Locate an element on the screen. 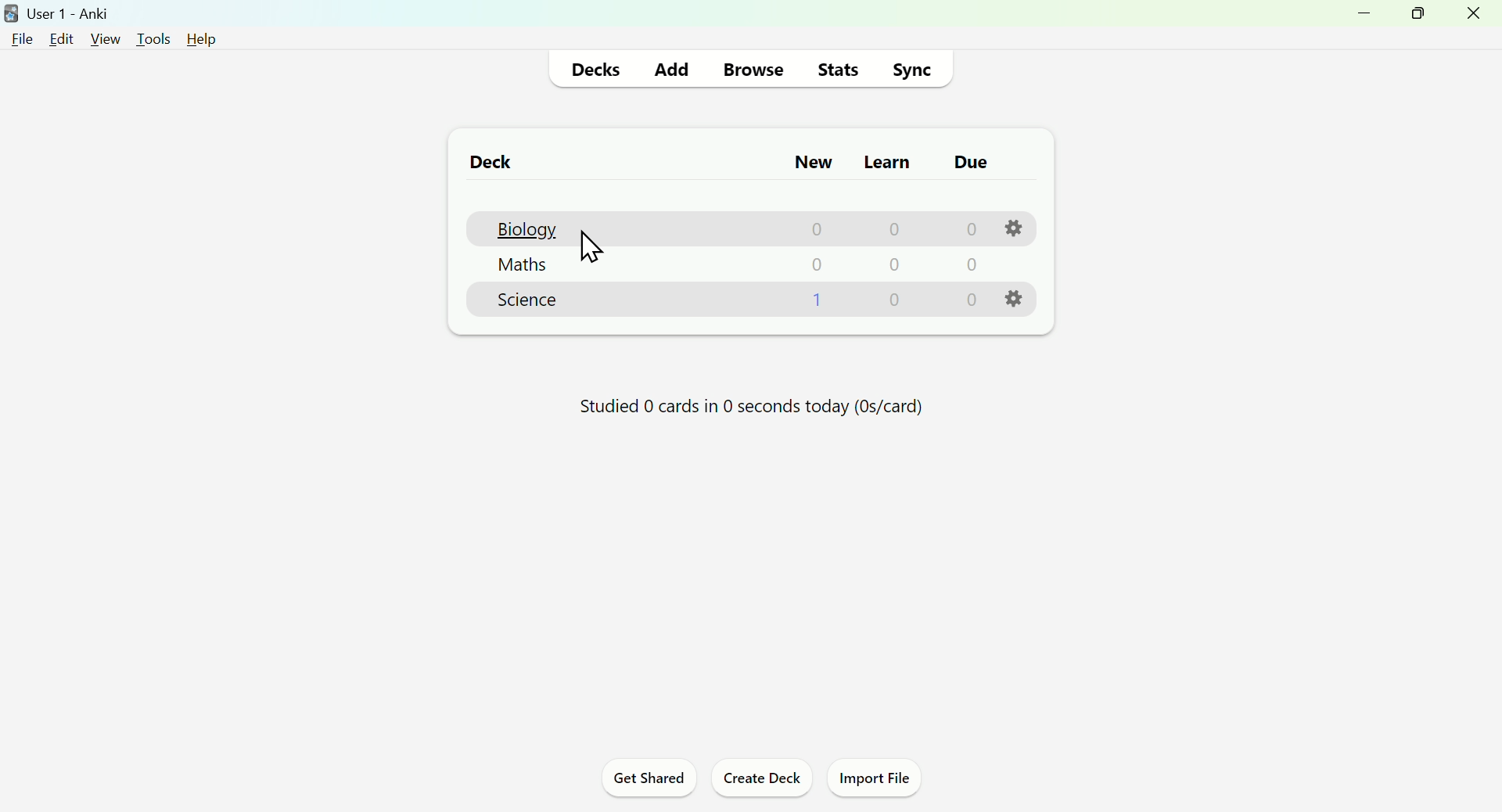 The height and width of the screenshot is (812, 1502). minimize is located at coordinates (1367, 16).